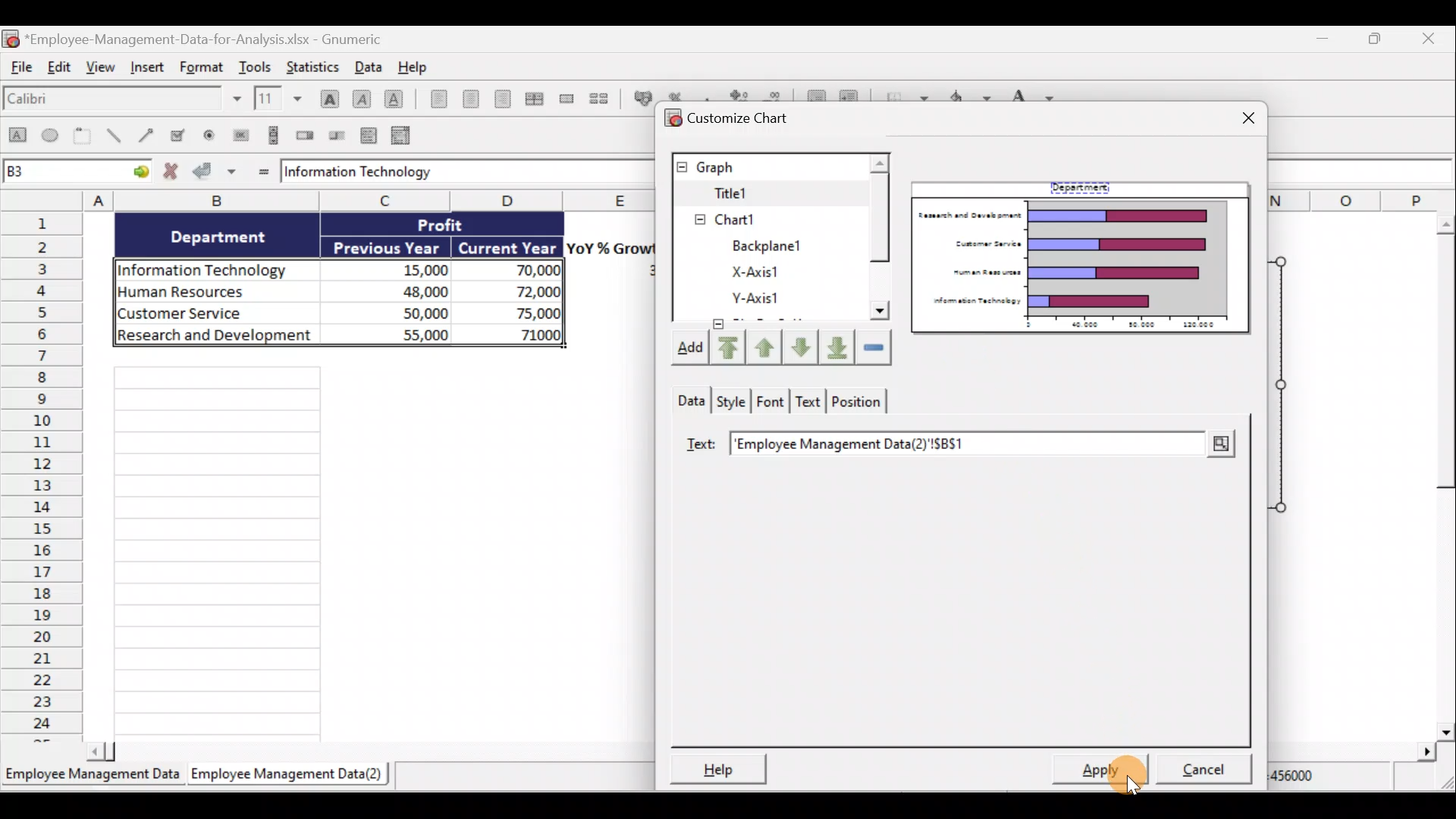 This screenshot has width=1456, height=819. I want to click on Create an ellipse object, so click(52, 137).